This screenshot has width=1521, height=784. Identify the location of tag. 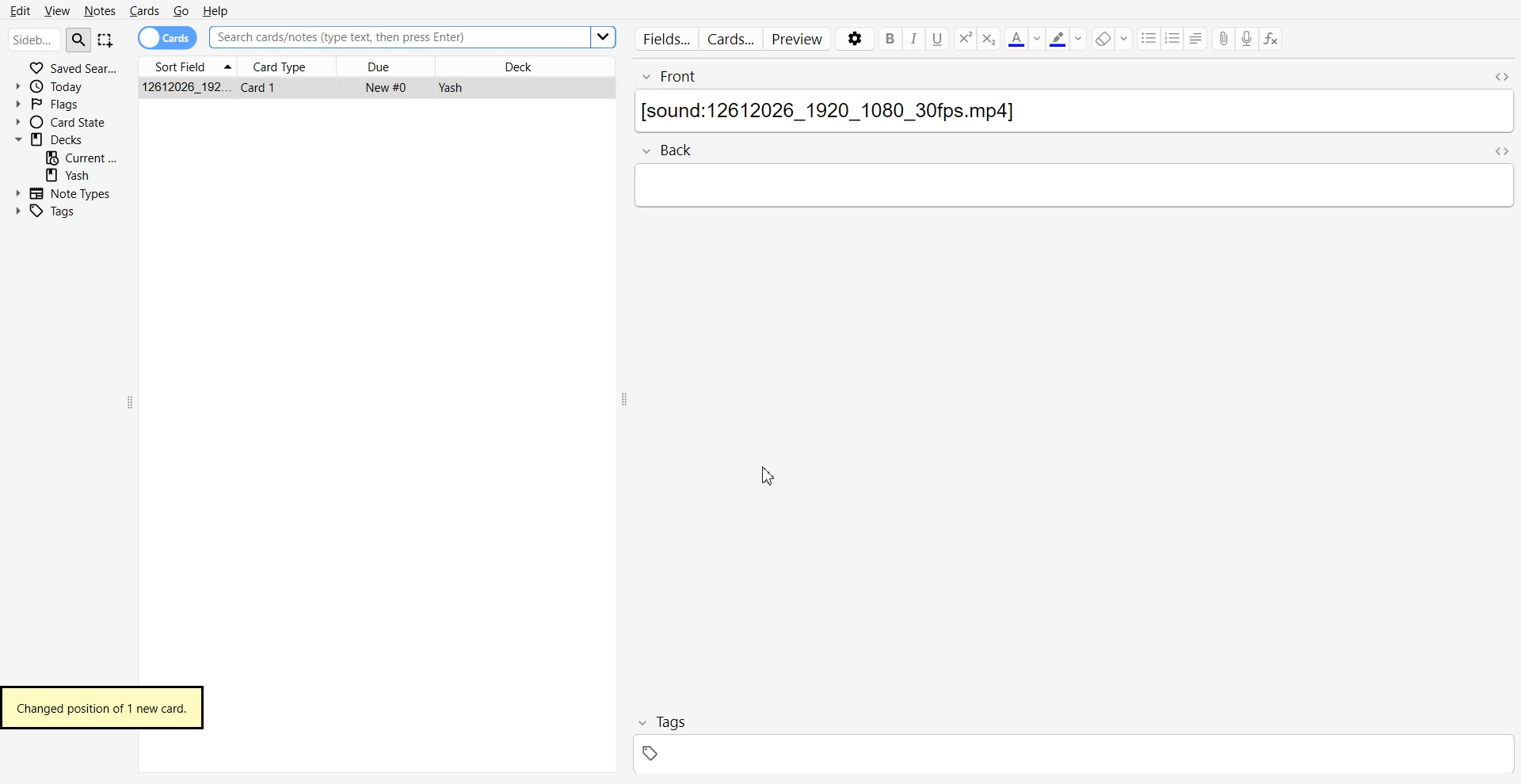
(1071, 756).